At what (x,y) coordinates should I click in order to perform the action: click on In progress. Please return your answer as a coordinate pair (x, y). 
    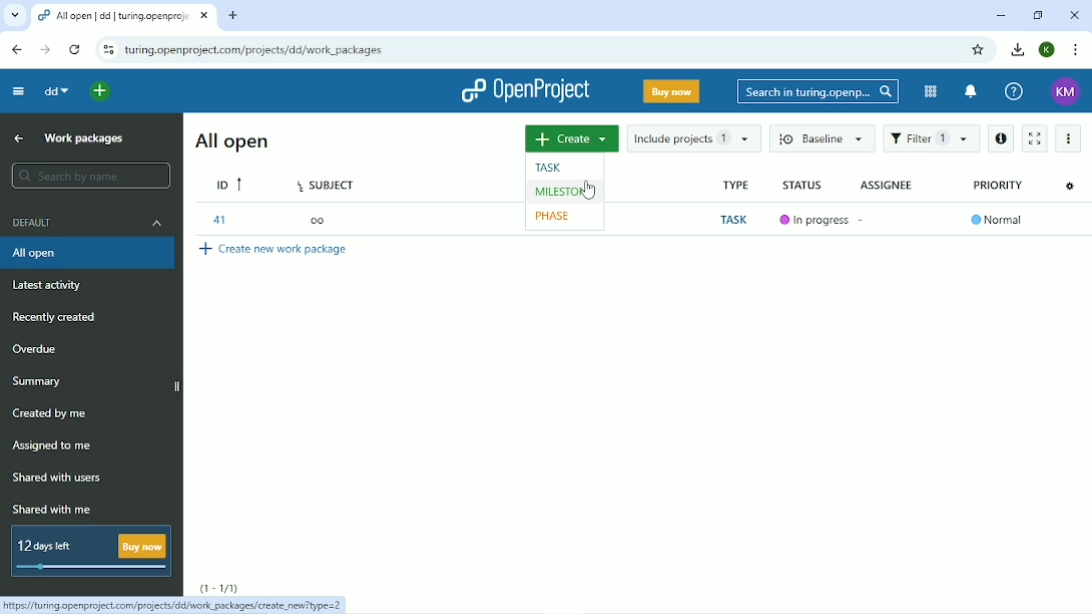
    Looking at the image, I should click on (816, 220).